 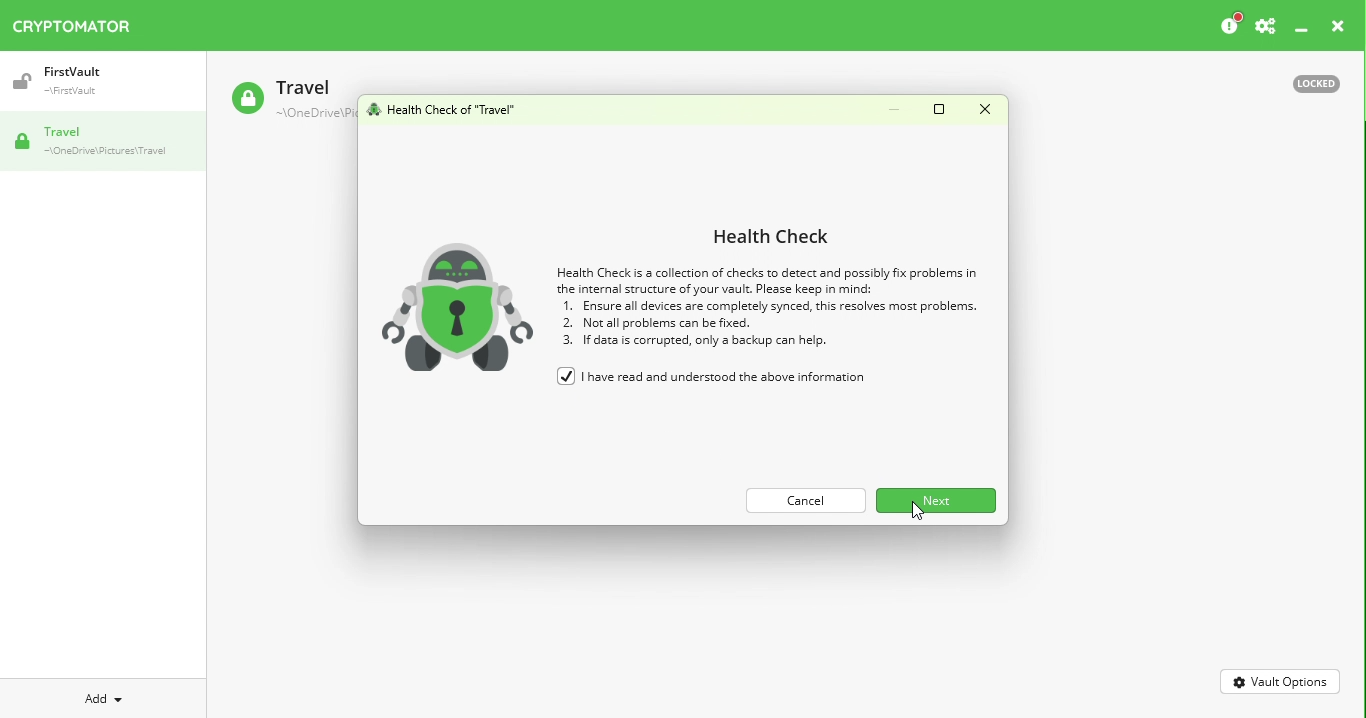 What do you see at coordinates (73, 23) in the screenshot?
I see `Cryptomator icon` at bounding box center [73, 23].